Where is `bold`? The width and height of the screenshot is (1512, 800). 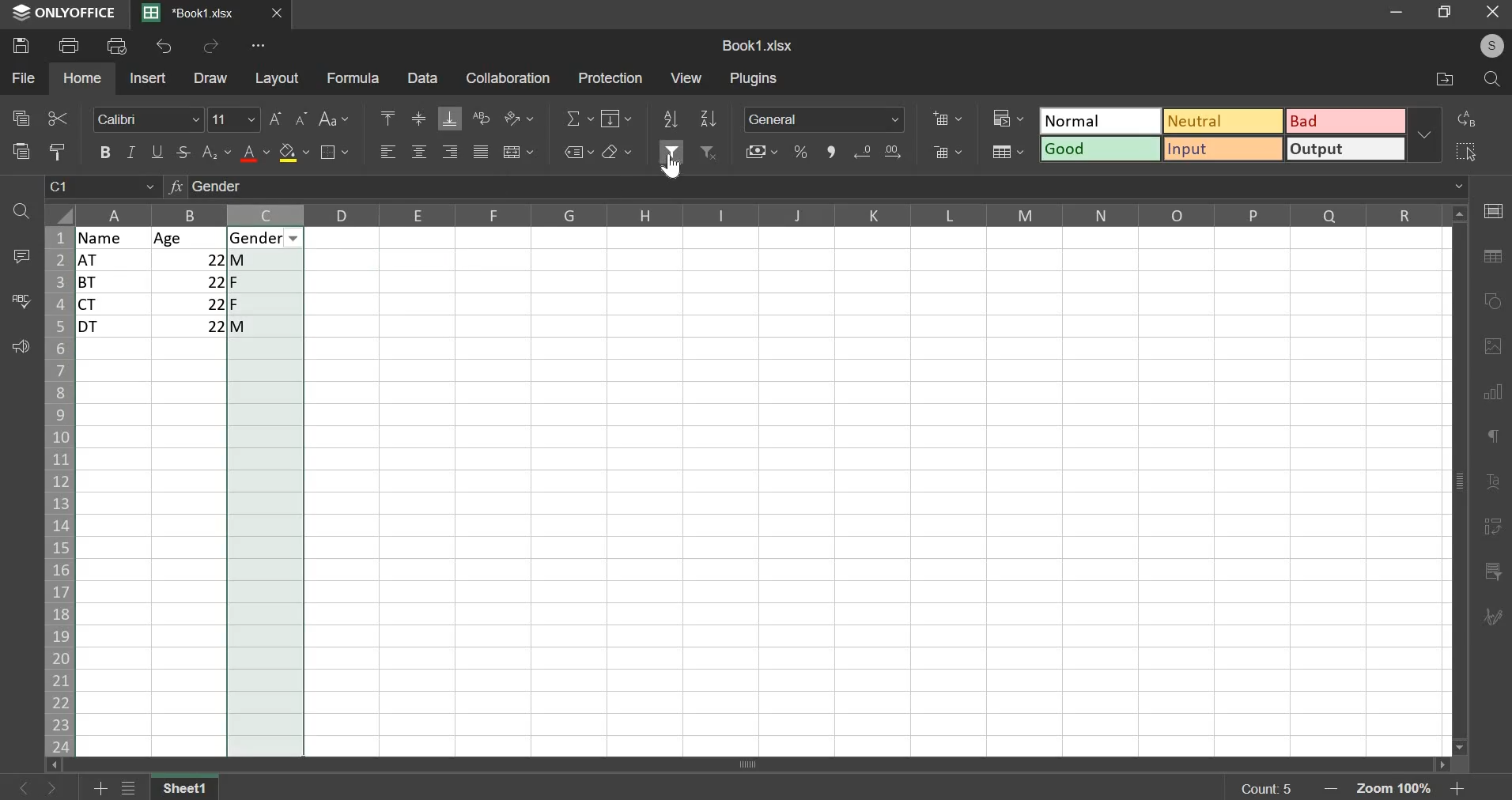
bold is located at coordinates (104, 150).